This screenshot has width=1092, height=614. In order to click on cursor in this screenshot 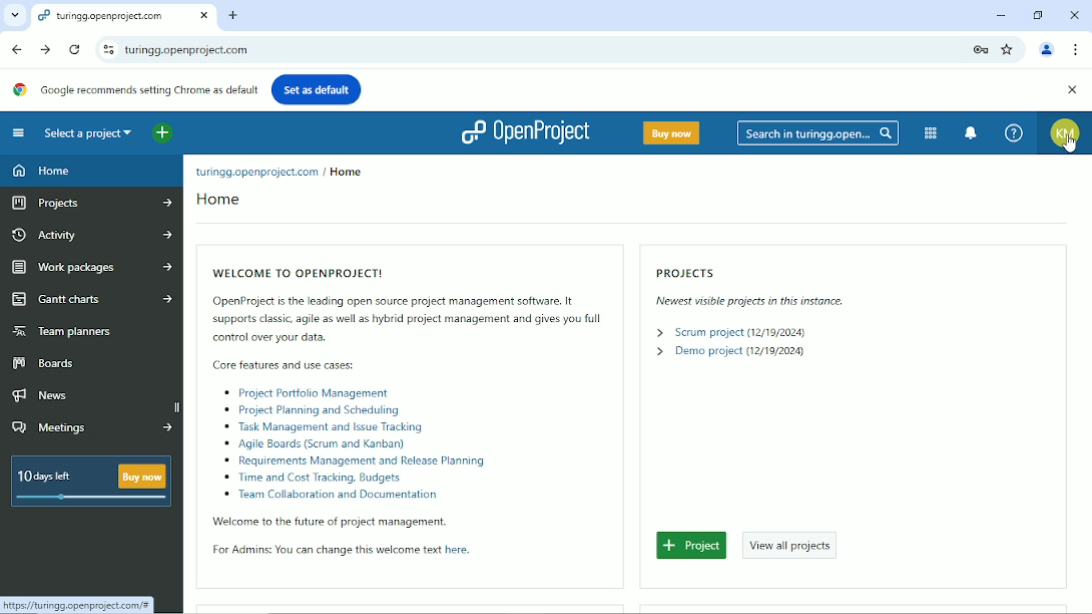, I will do `click(1073, 148)`.